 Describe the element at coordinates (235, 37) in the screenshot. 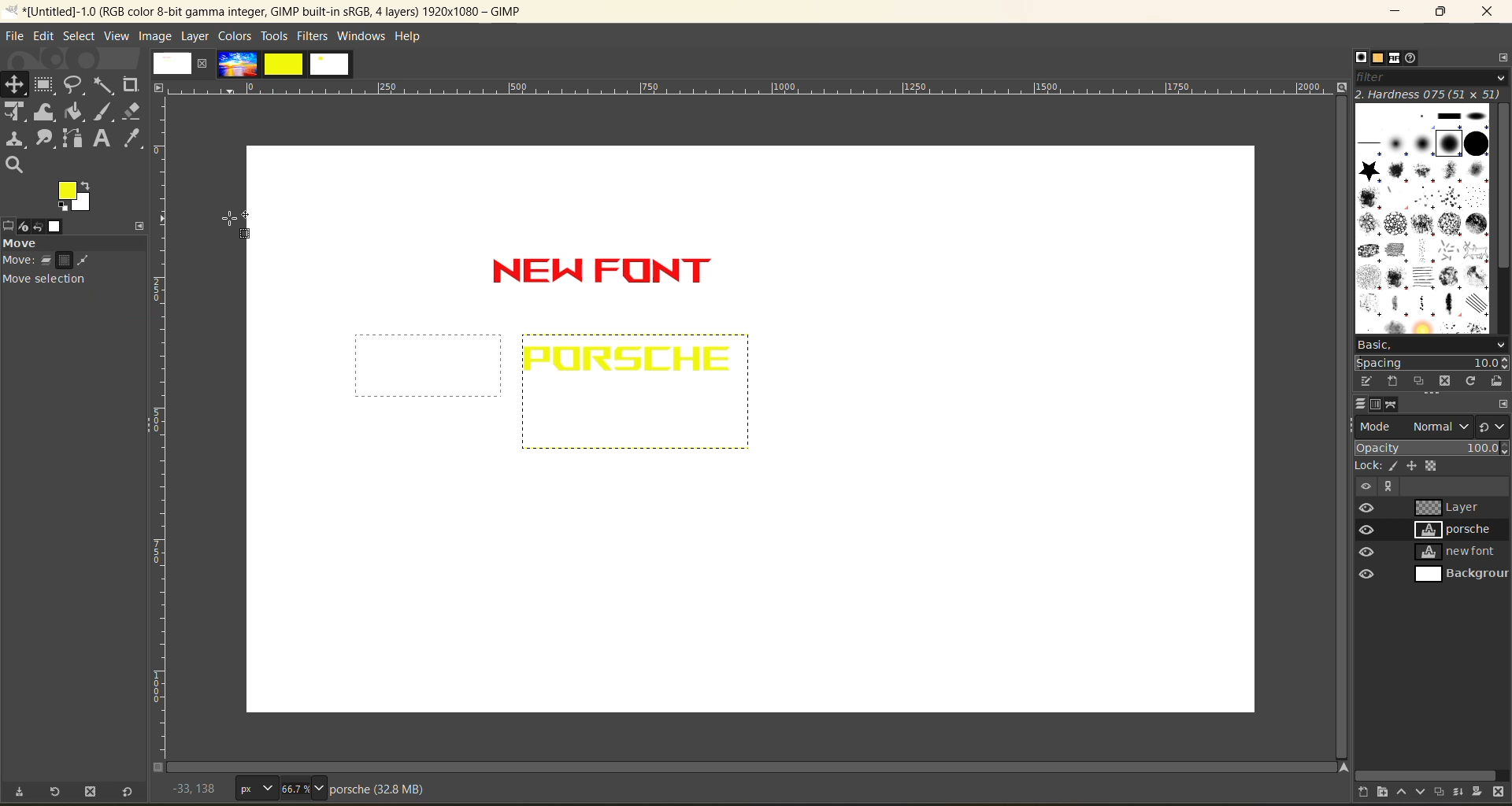

I see `colors` at that location.